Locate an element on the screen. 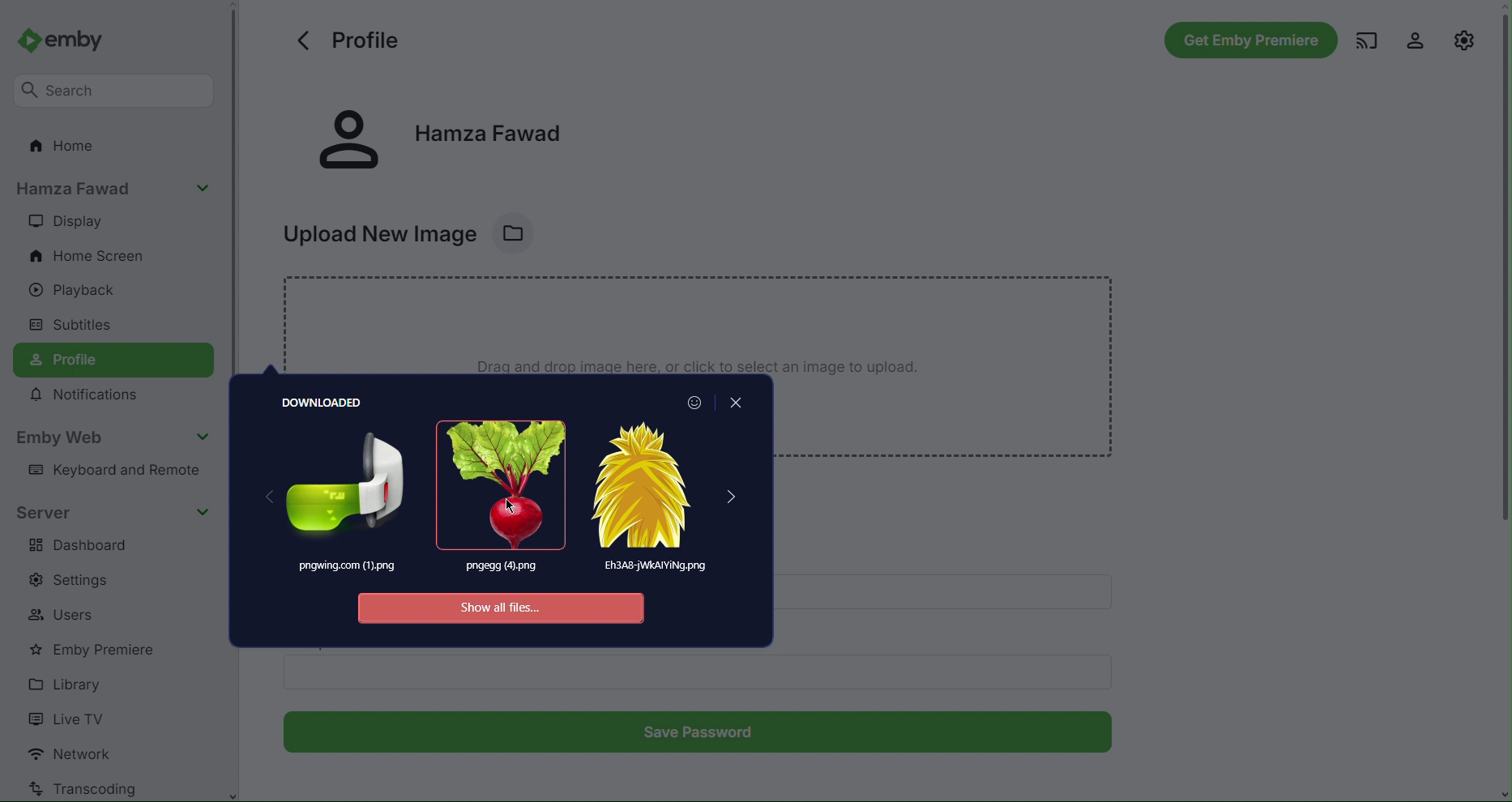  Upload New Image is located at coordinates (419, 230).